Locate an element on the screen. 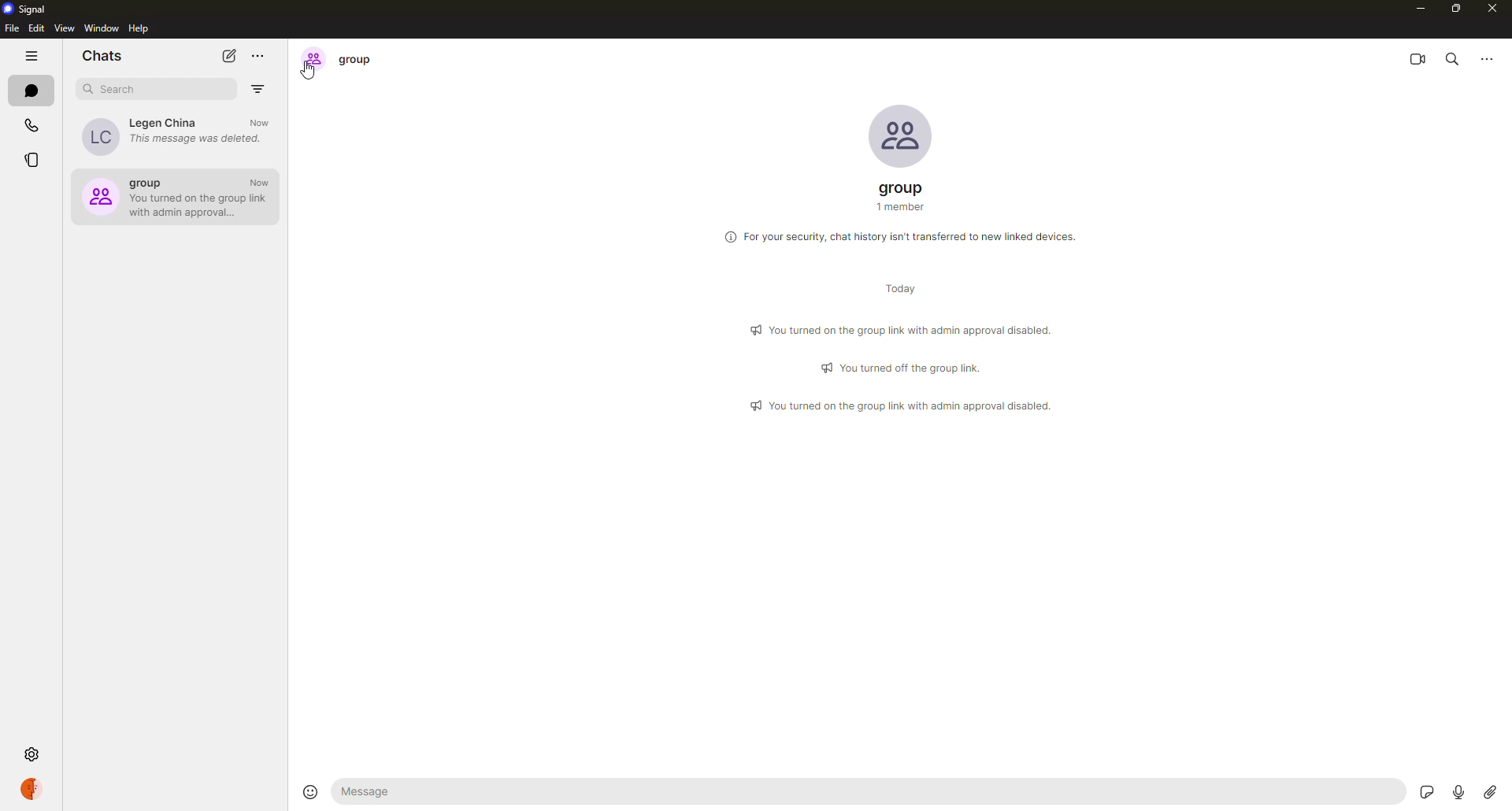 This screenshot has height=811, width=1512. more is located at coordinates (258, 56).